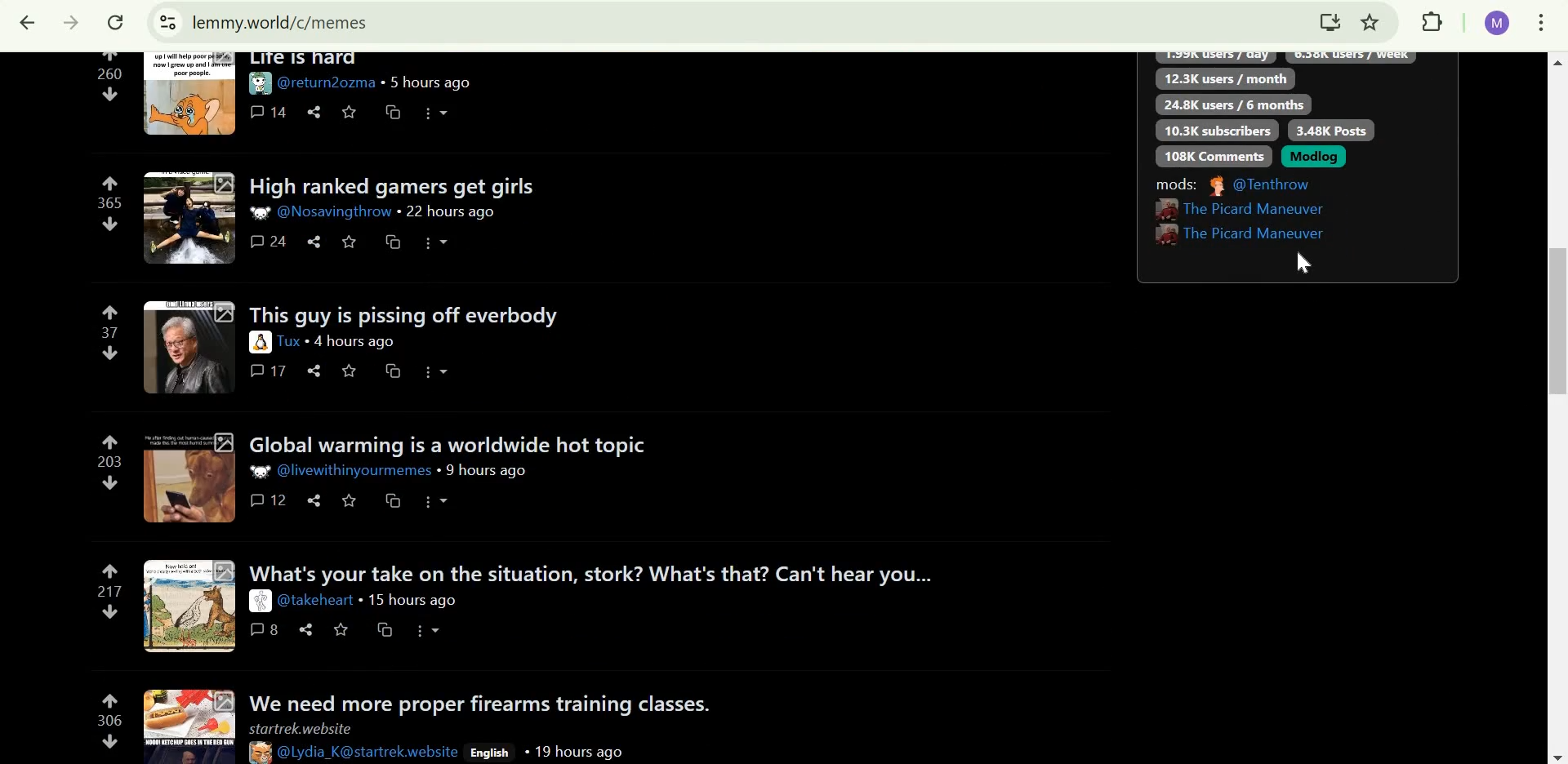 This screenshot has height=764, width=1568. I want to click on upvote, so click(110, 442).